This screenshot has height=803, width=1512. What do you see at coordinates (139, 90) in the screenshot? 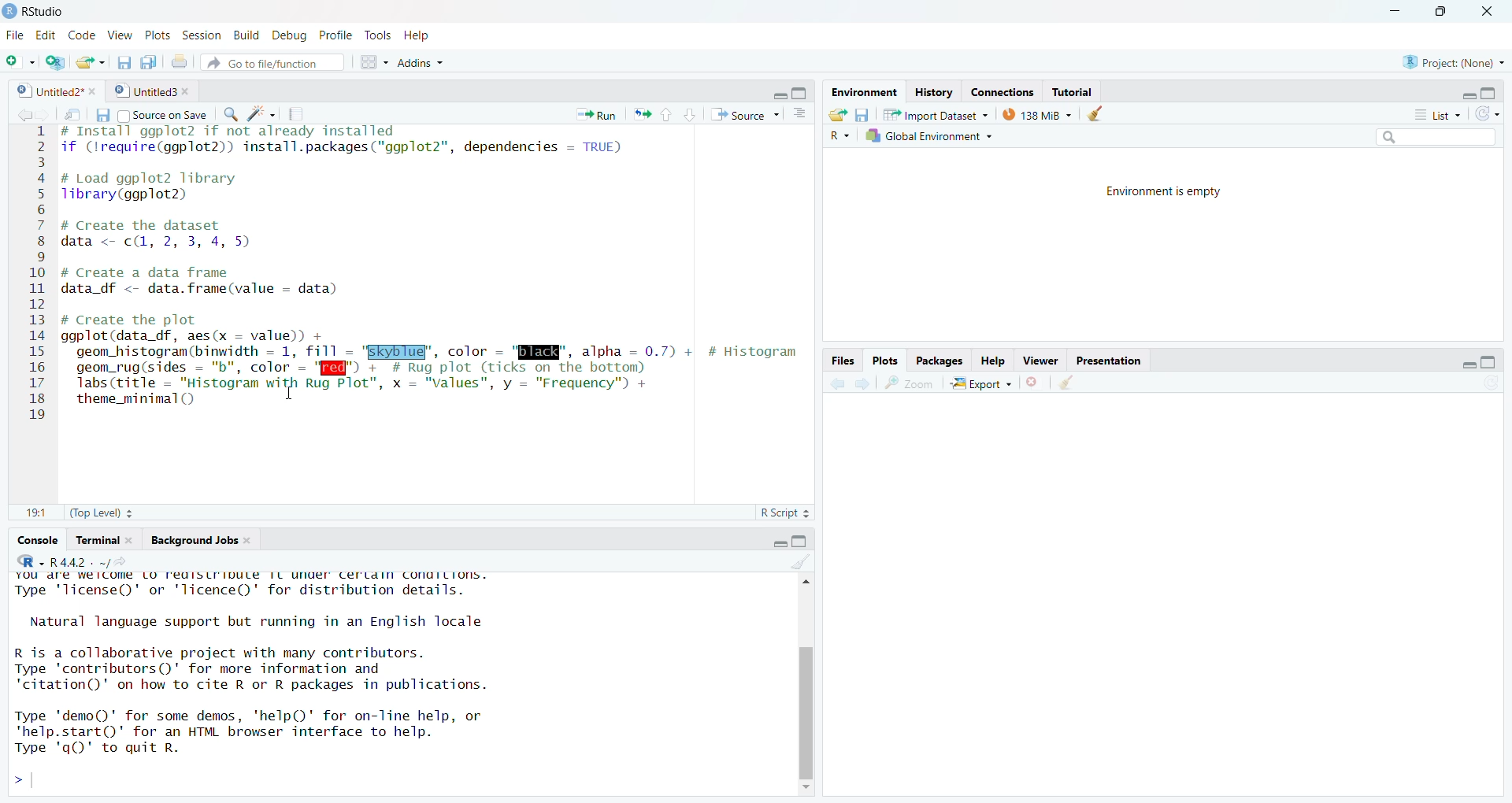
I see `© | Untitled3` at bounding box center [139, 90].